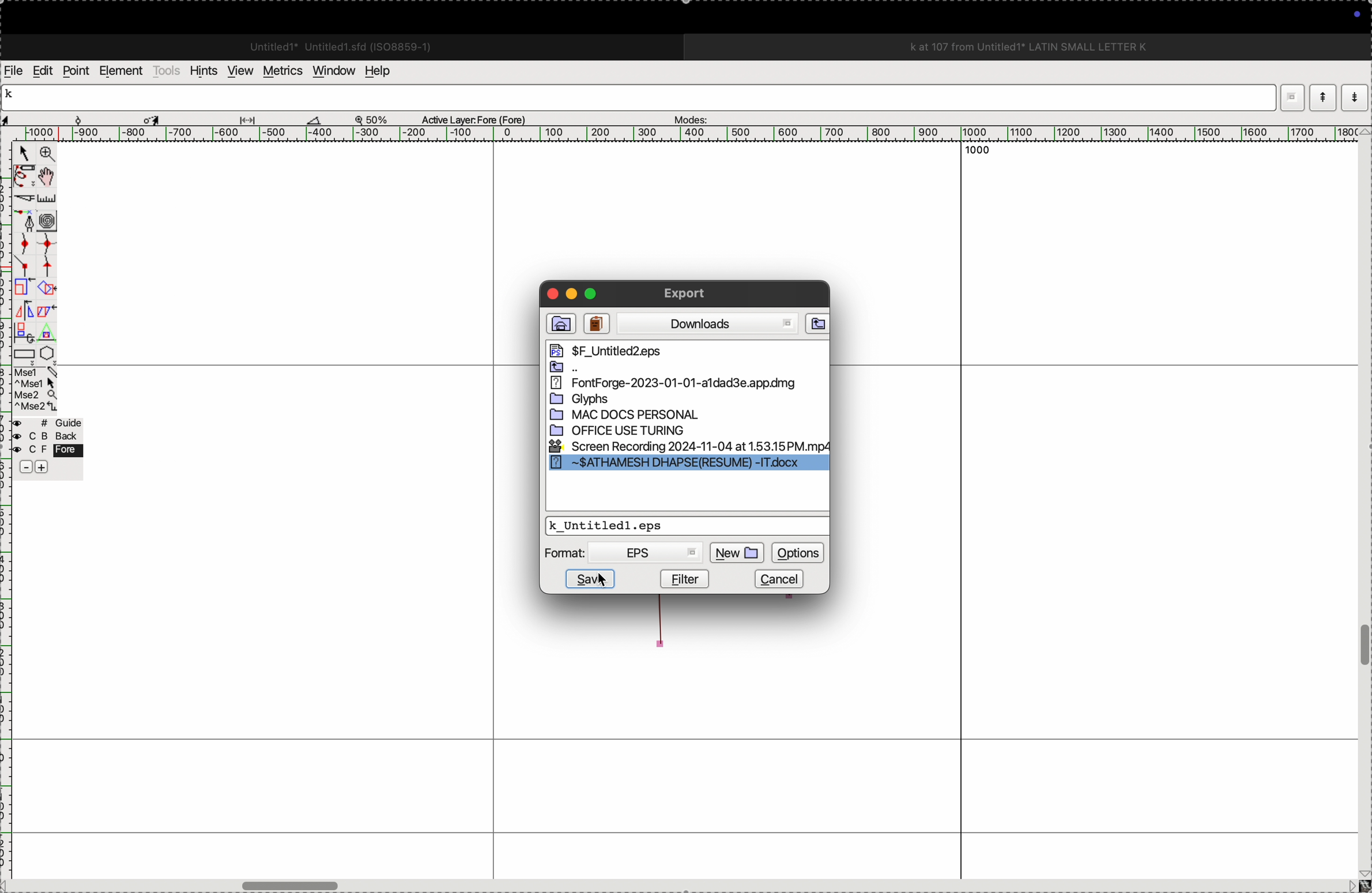 The image size is (1372, 893). Describe the element at coordinates (58, 219) in the screenshot. I see `cirlcels` at that location.